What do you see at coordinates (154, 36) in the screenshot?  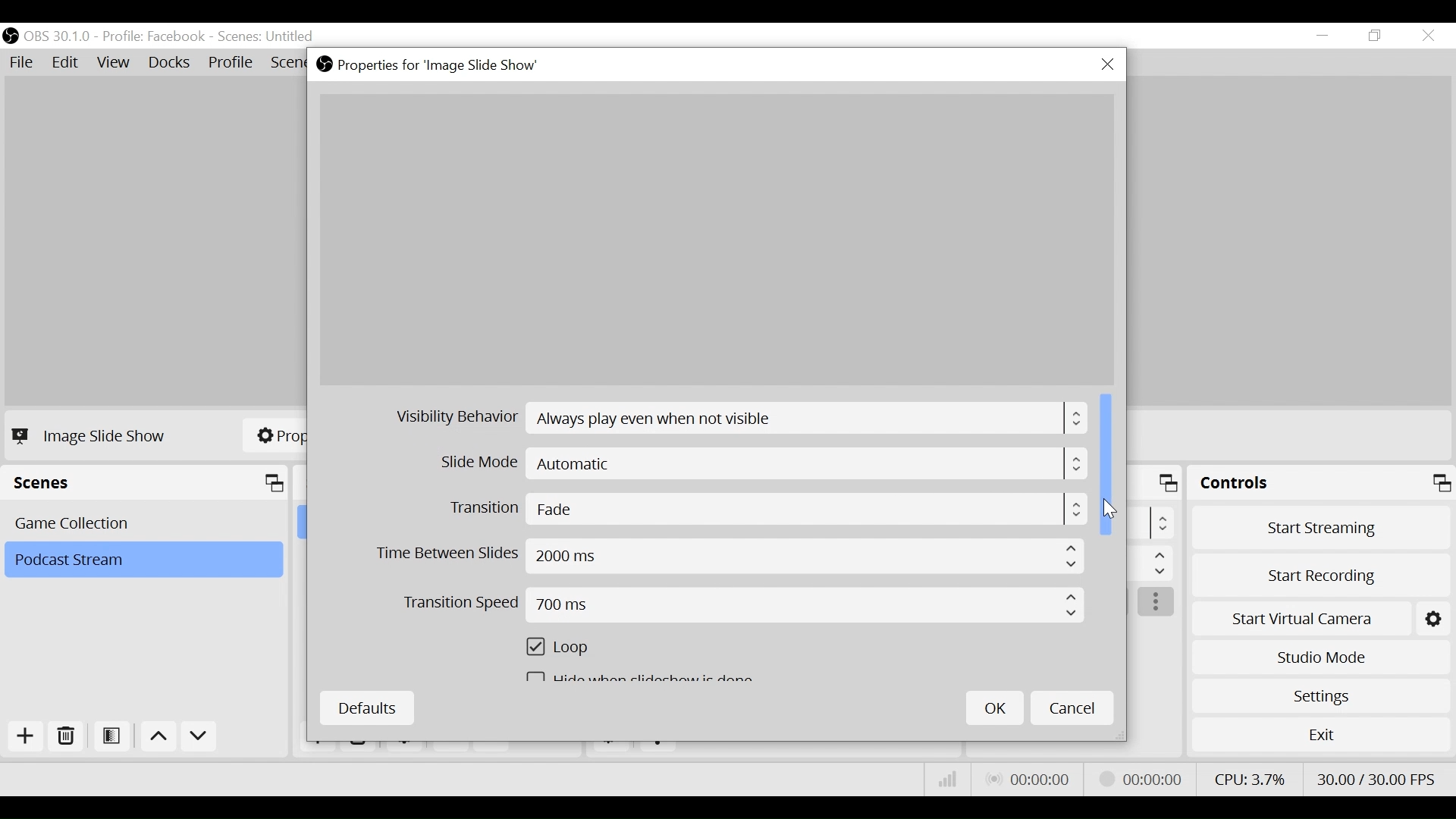 I see `Profile` at bounding box center [154, 36].